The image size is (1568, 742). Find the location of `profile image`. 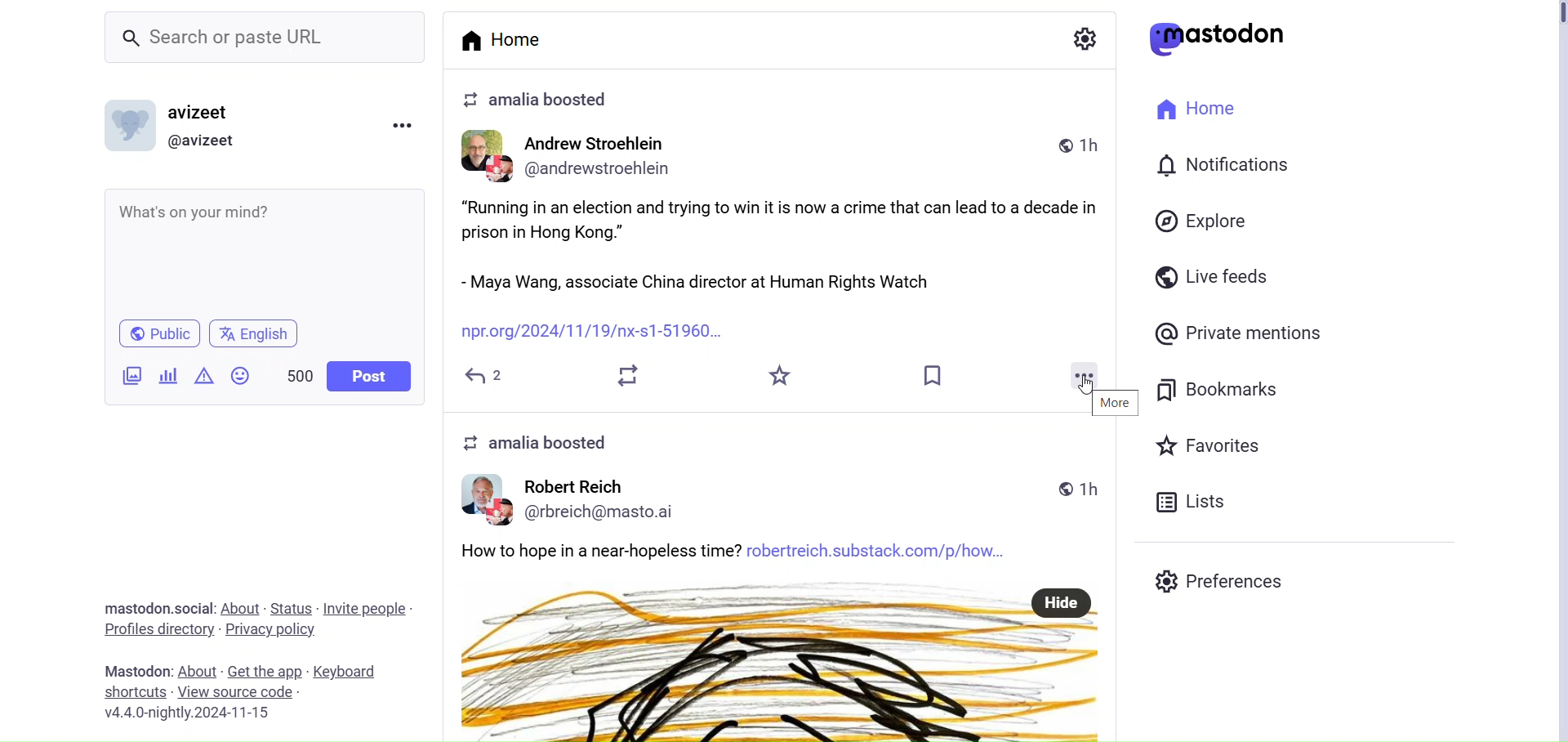

profile image is located at coordinates (486, 158).